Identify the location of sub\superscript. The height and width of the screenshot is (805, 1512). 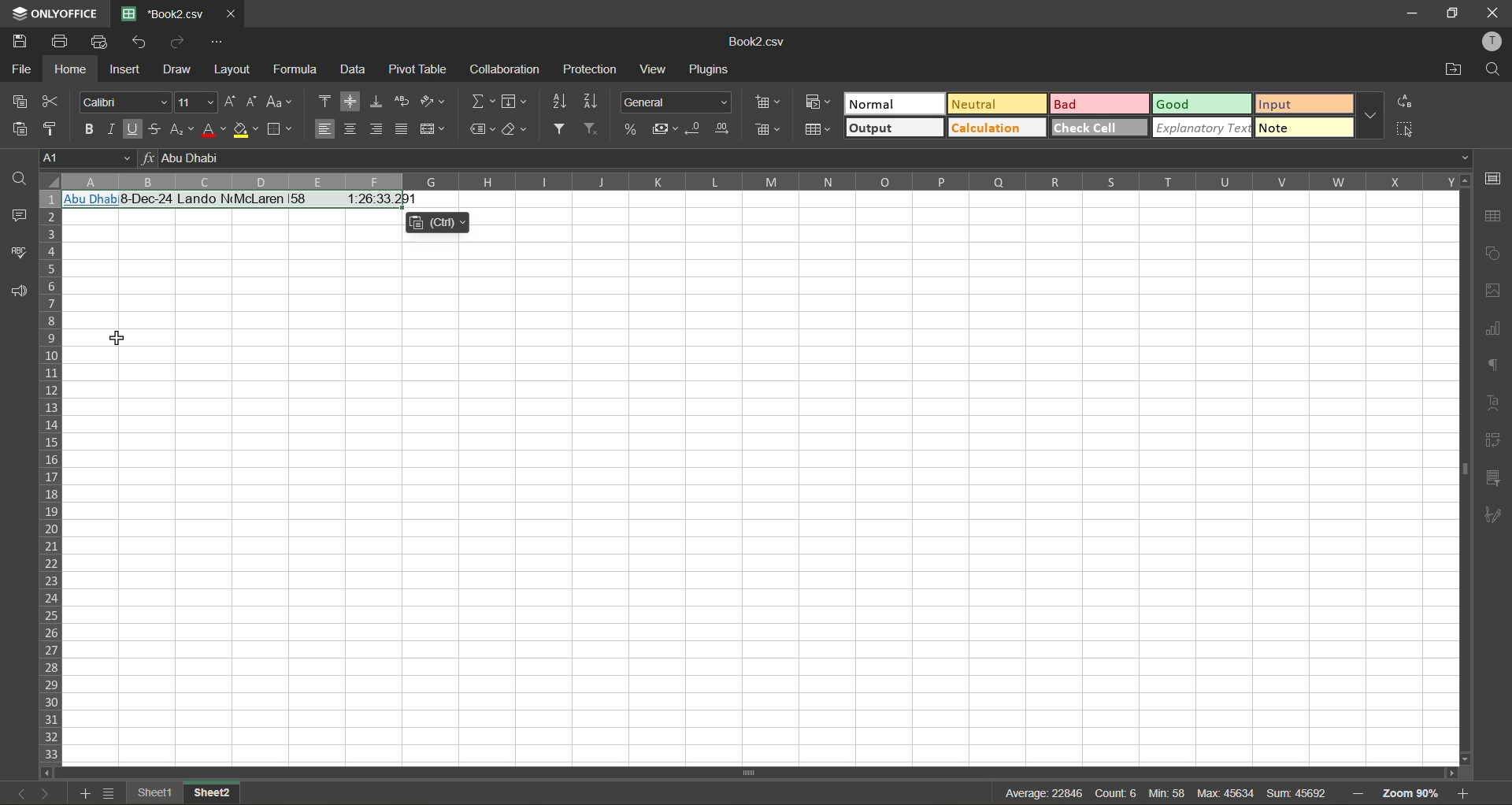
(180, 131).